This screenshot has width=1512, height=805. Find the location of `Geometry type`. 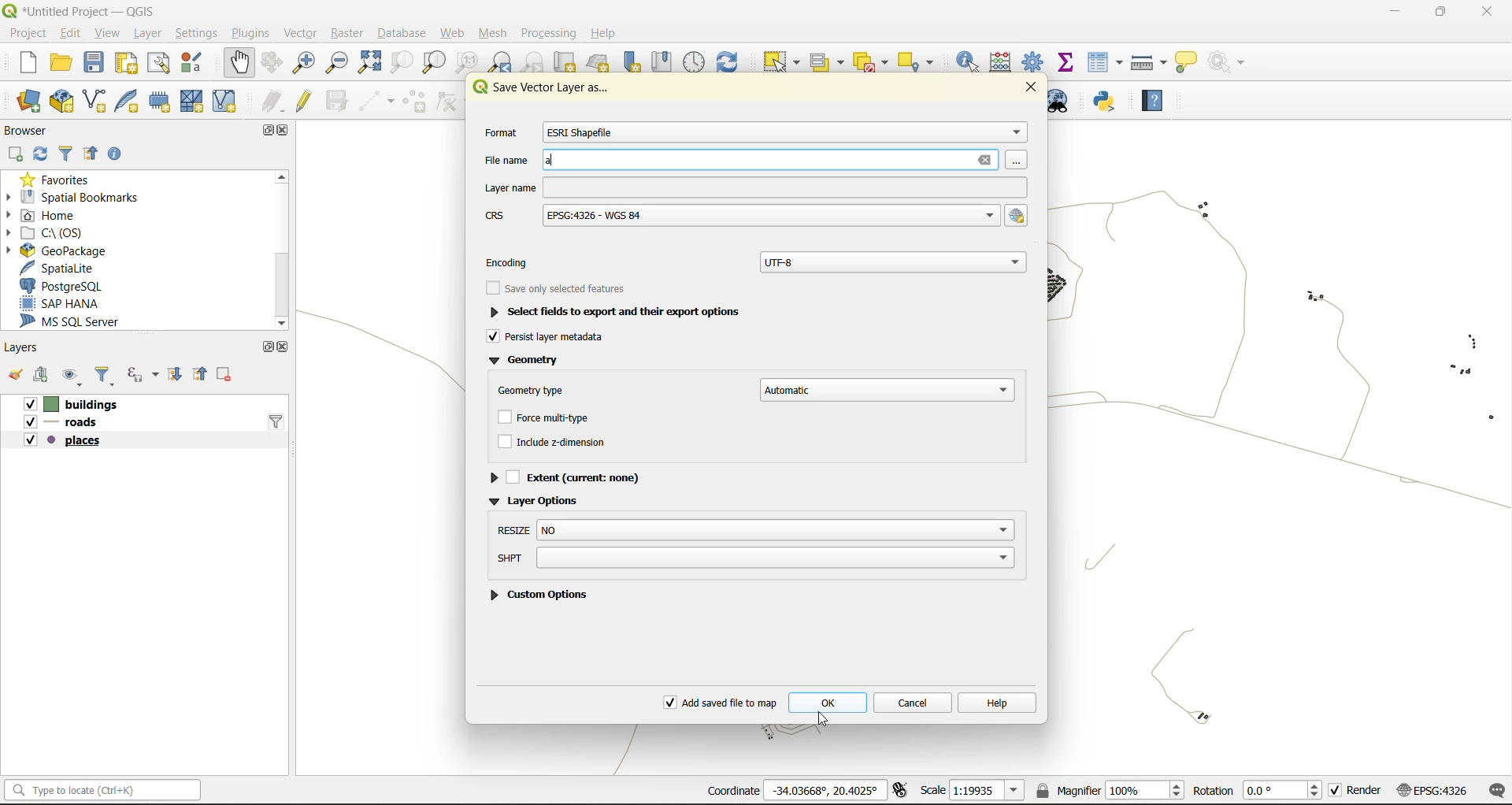

Geometry type is located at coordinates (537, 388).